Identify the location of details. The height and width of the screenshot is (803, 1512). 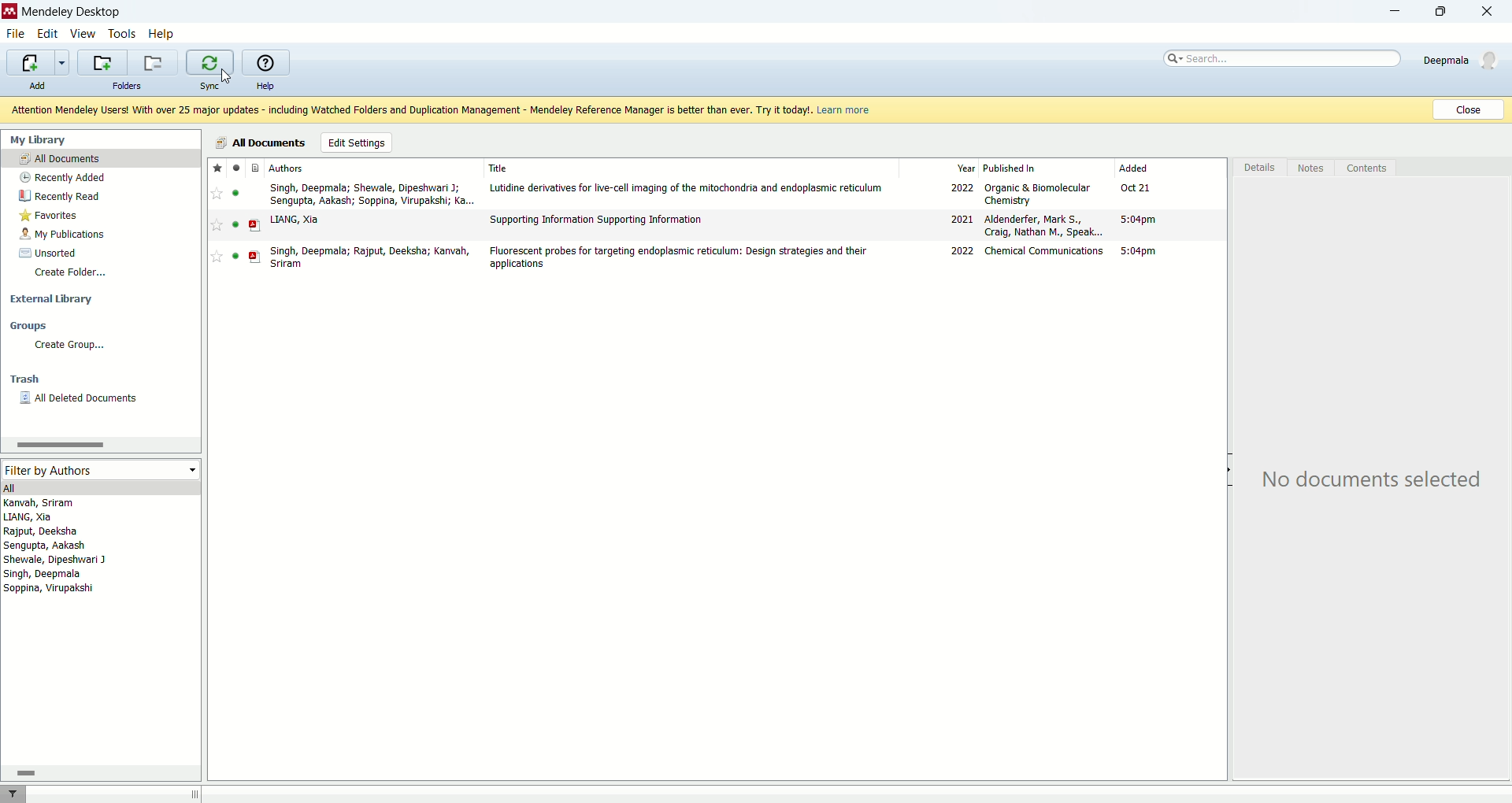
(1263, 167).